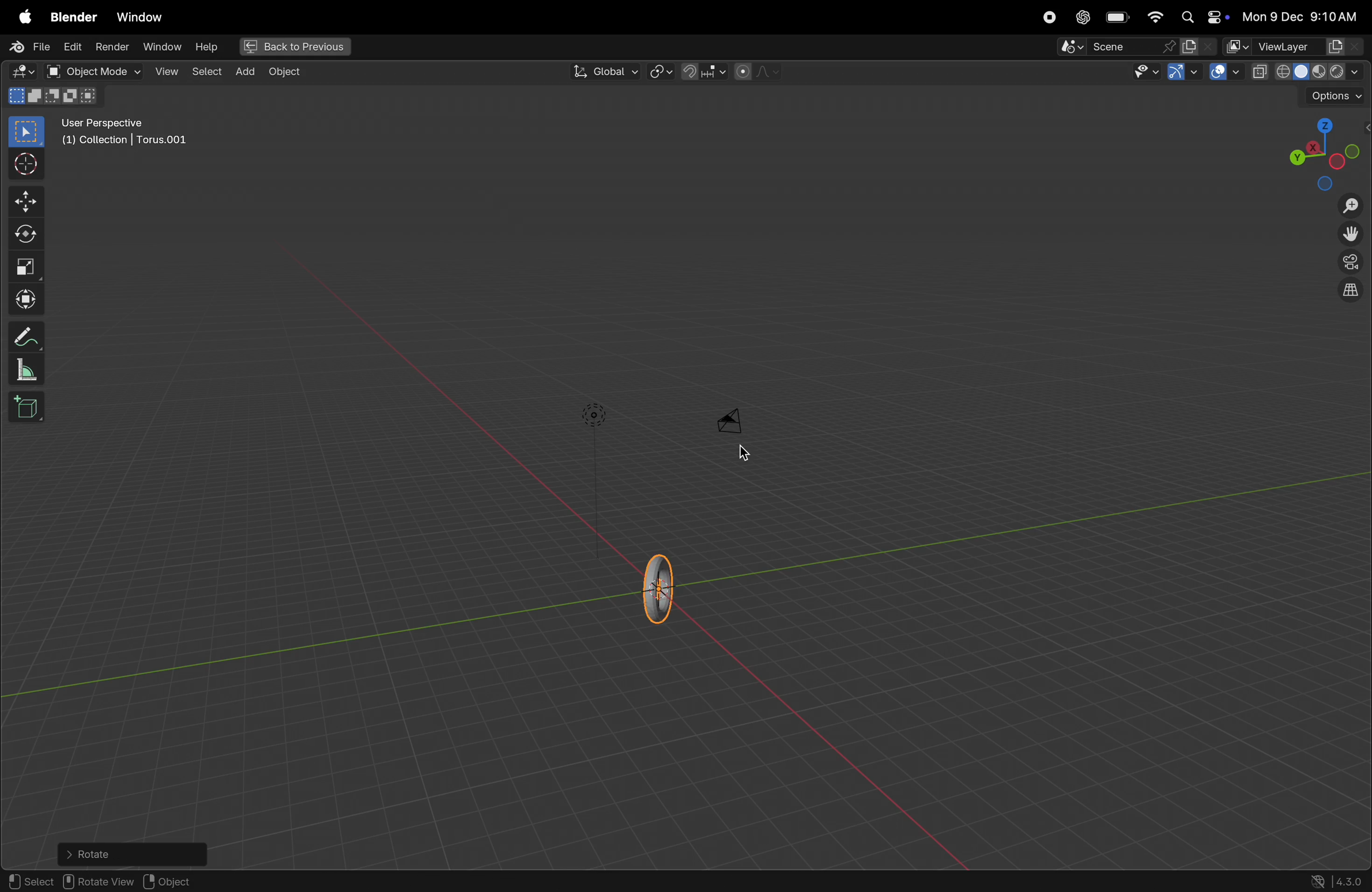 The image size is (1372, 892). What do you see at coordinates (28, 266) in the screenshot?
I see `scale` at bounding box center [28, 266].